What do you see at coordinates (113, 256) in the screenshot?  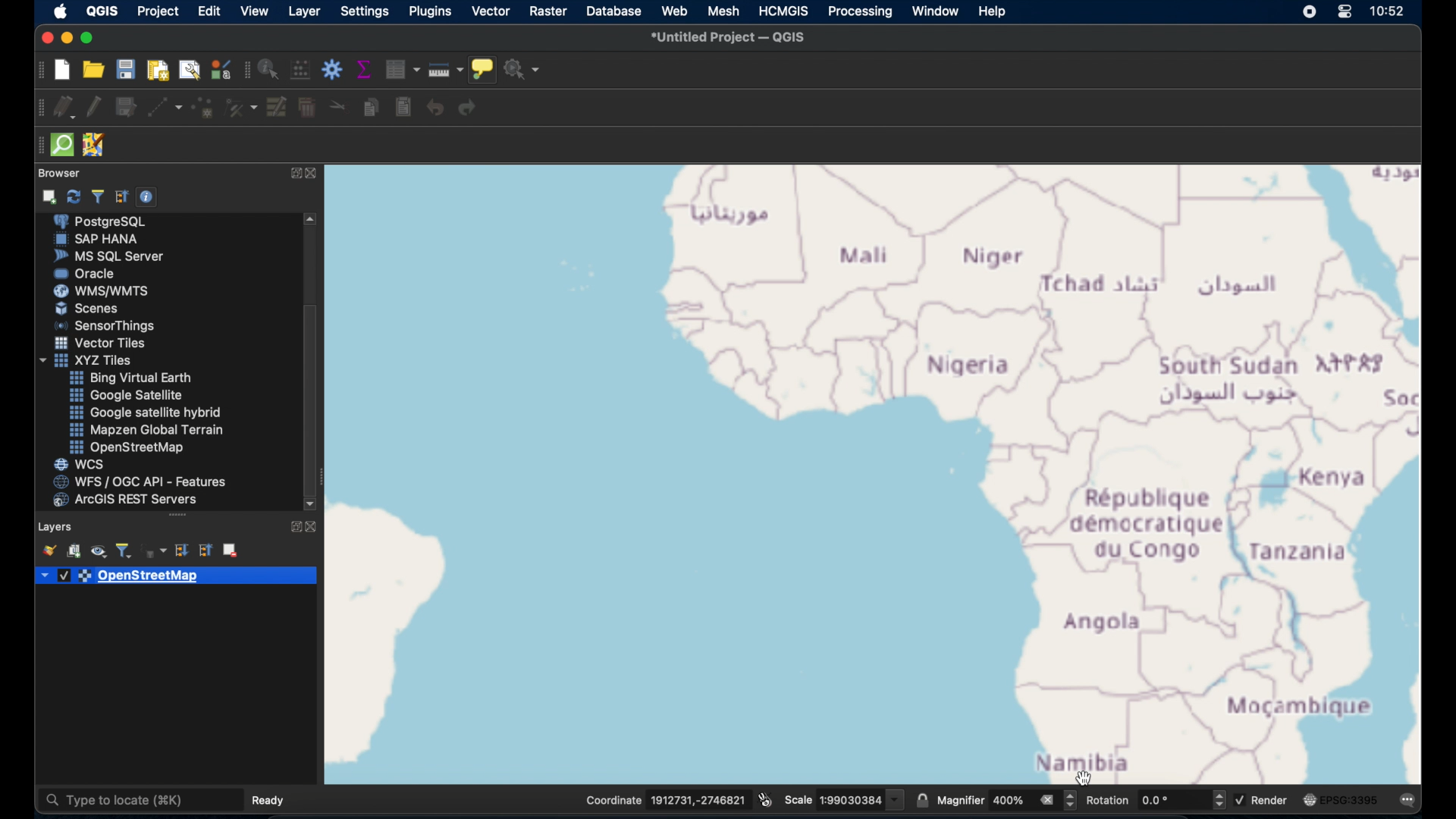 I see `ms sql server` at bounding box center [113, 256].